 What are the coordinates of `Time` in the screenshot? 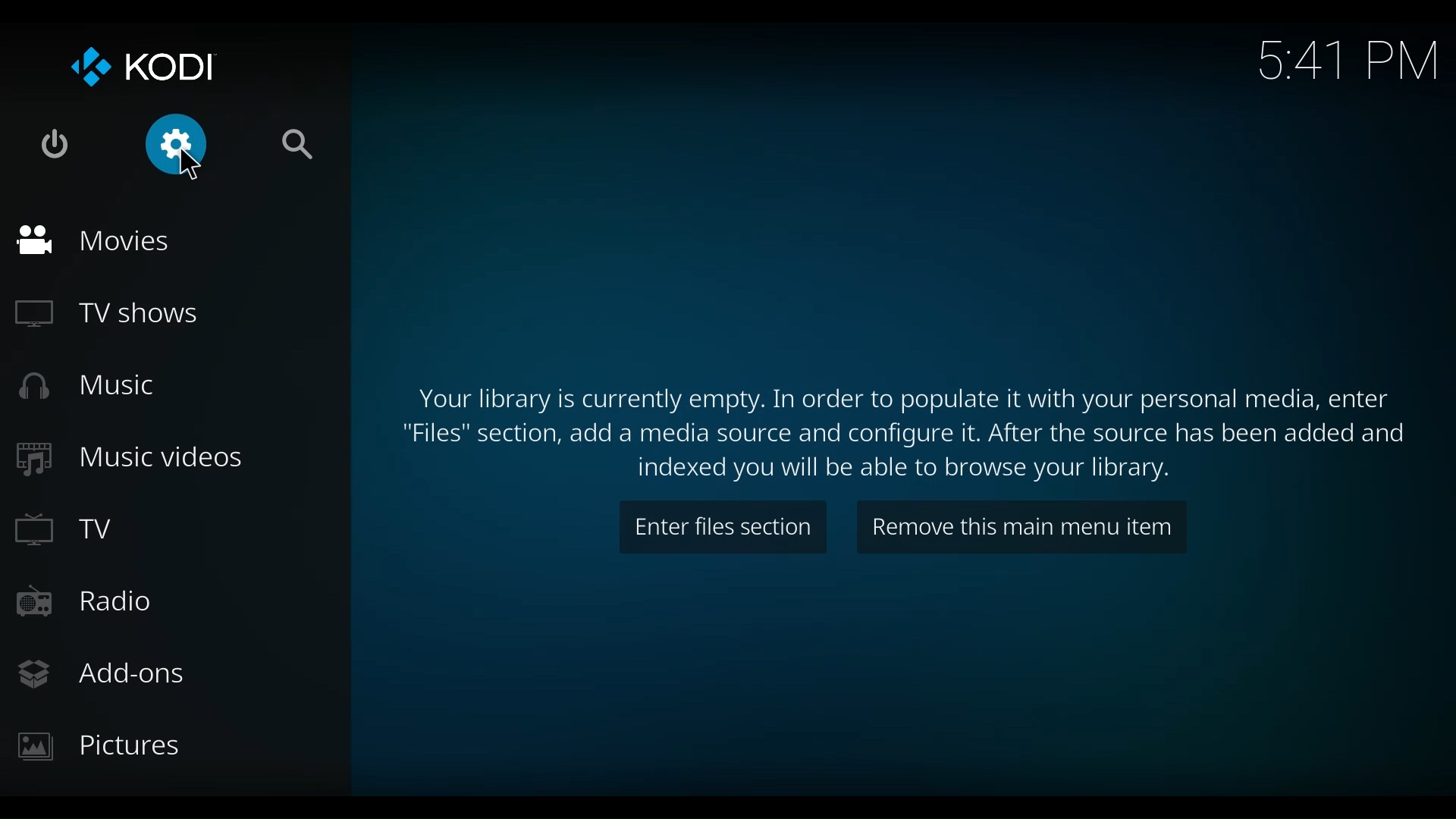 It's located at (1351, 57).